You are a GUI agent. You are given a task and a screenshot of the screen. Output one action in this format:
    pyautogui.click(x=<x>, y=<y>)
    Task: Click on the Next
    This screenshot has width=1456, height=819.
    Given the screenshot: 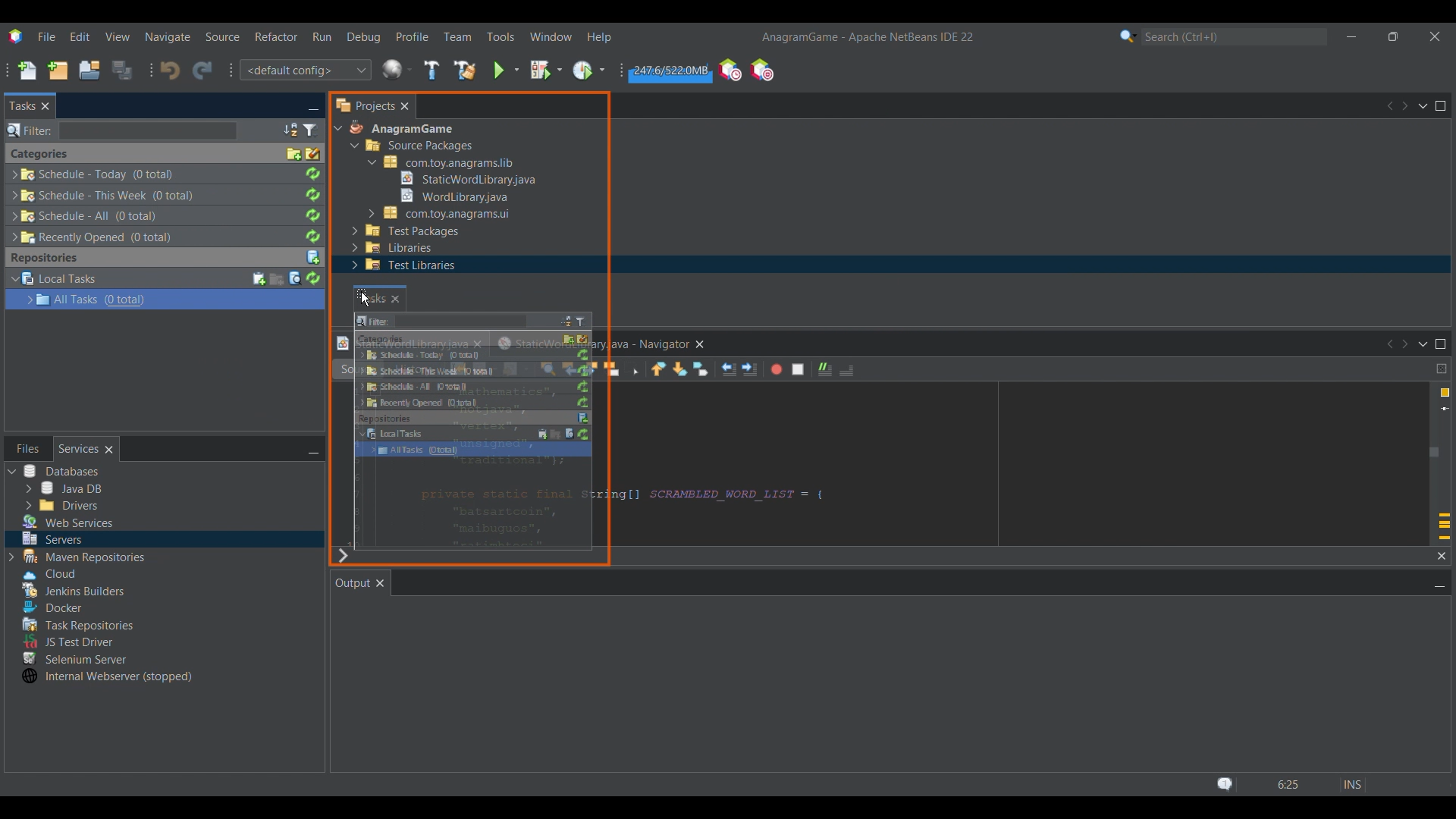 What is the action you would take?
    pyautogui.click(x=1407, y=344)
    